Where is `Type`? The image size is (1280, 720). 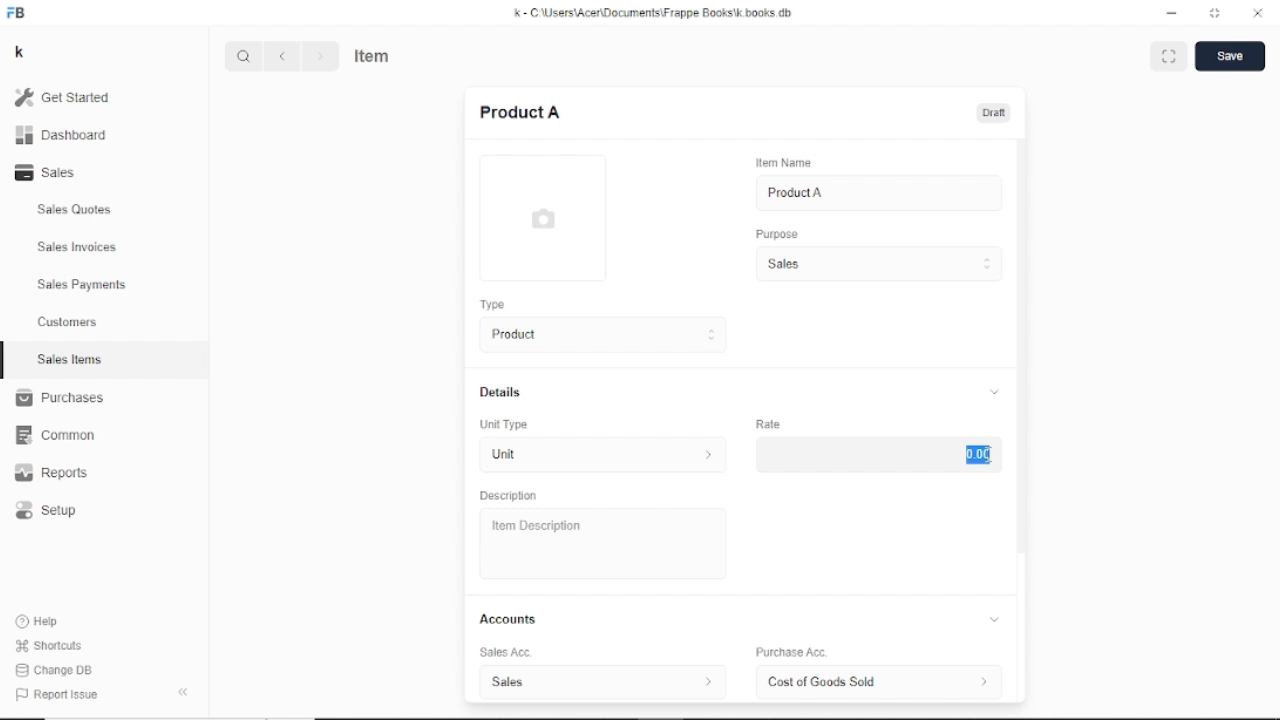
Type is located at coordinates (492, 304).